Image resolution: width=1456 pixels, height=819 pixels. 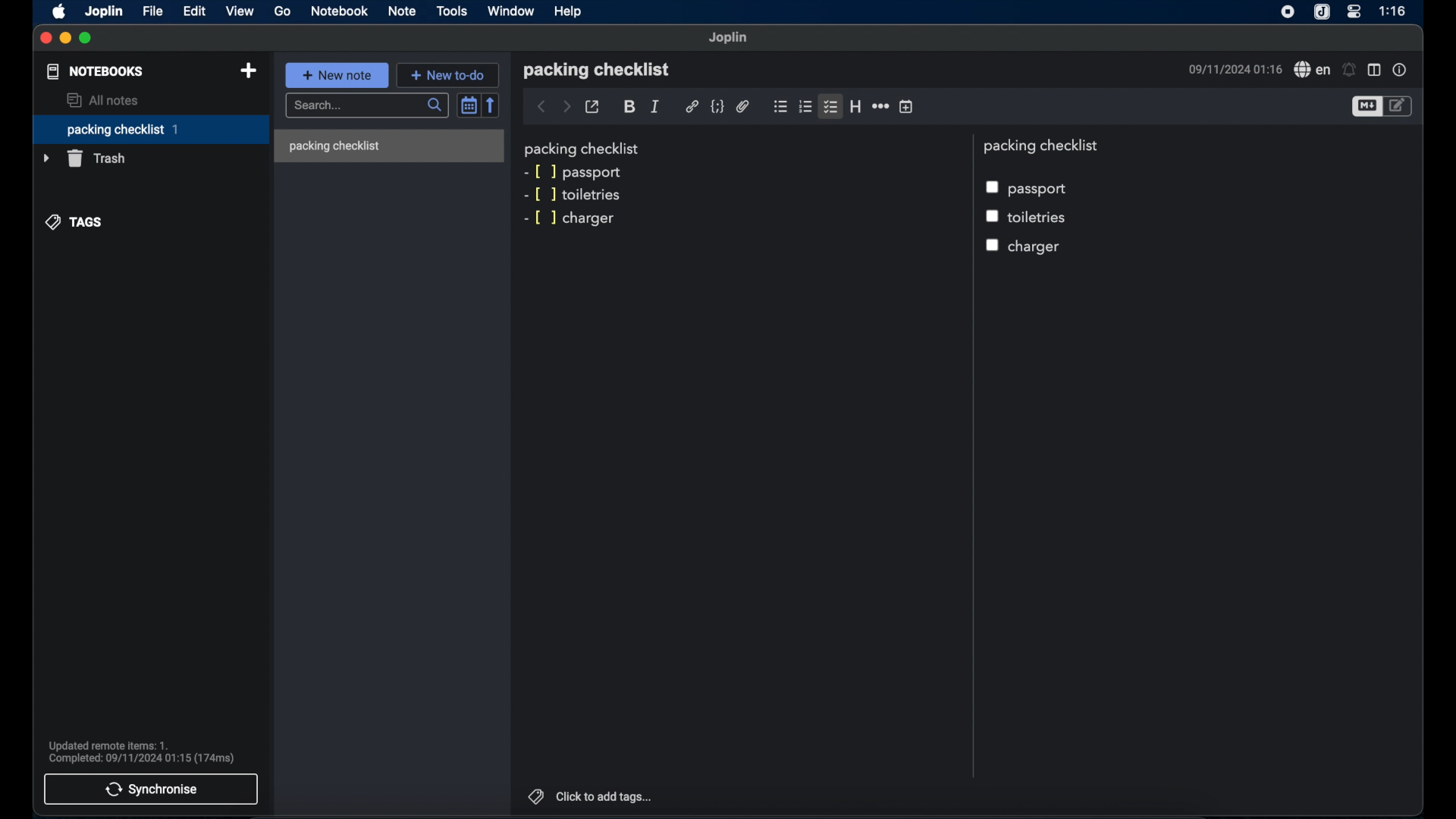 I want to click on control center, so click(x=1355, y=11).